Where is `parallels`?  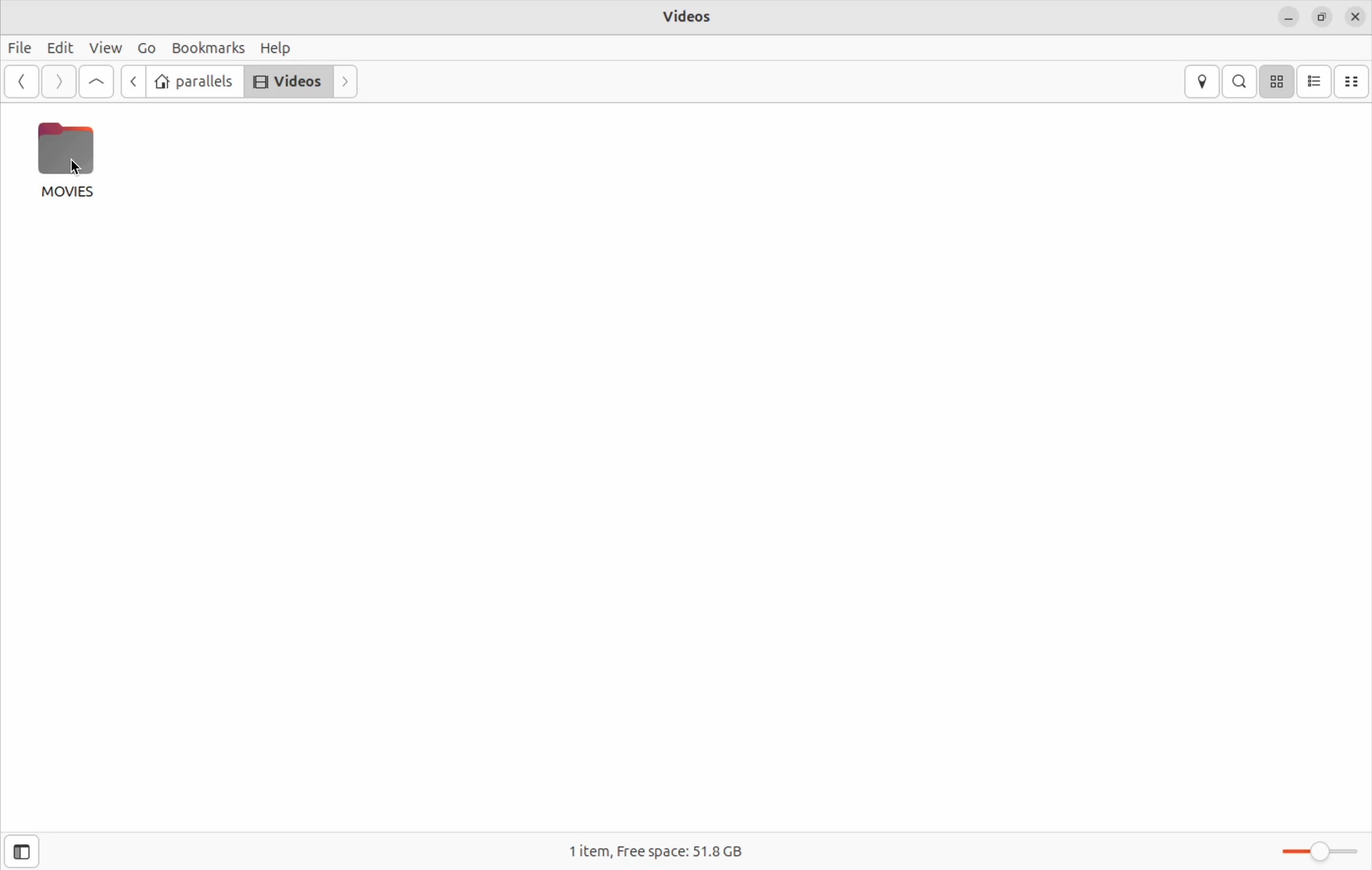
parallels is located at coordinates (194, 81).